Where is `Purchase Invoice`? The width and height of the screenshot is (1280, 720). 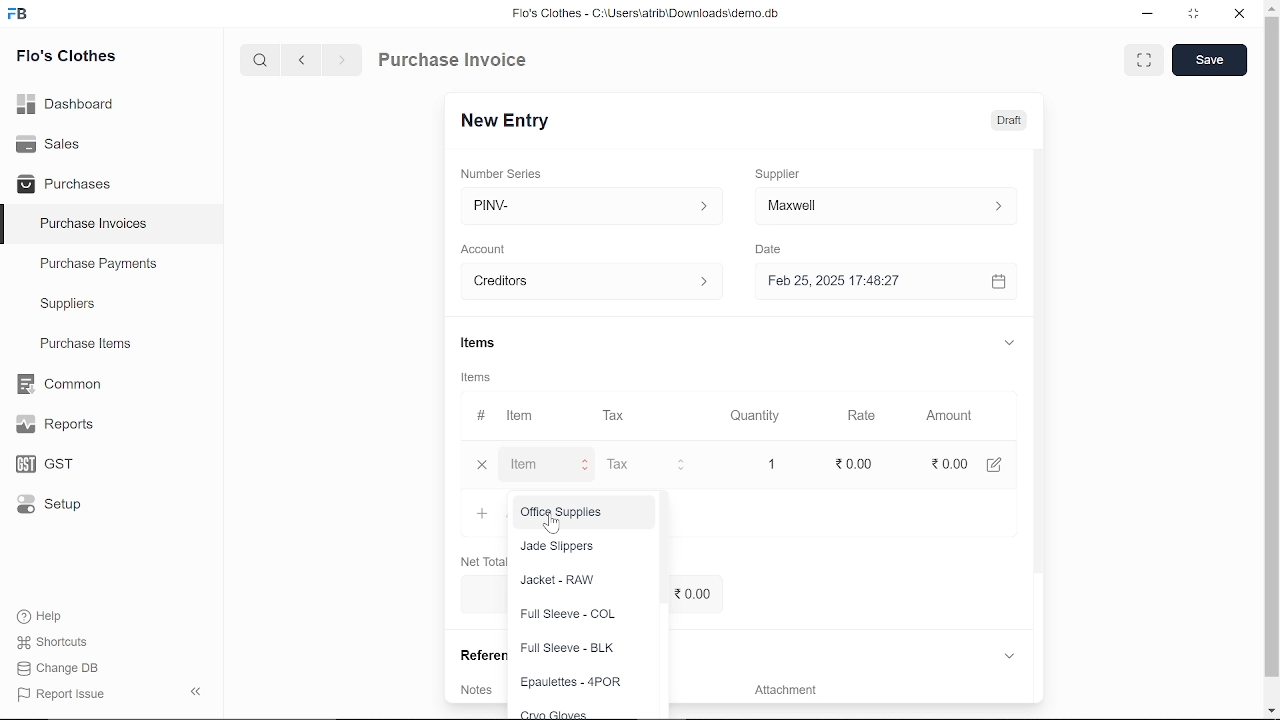 Purchase Invoice is located at coordinates (456, 62).